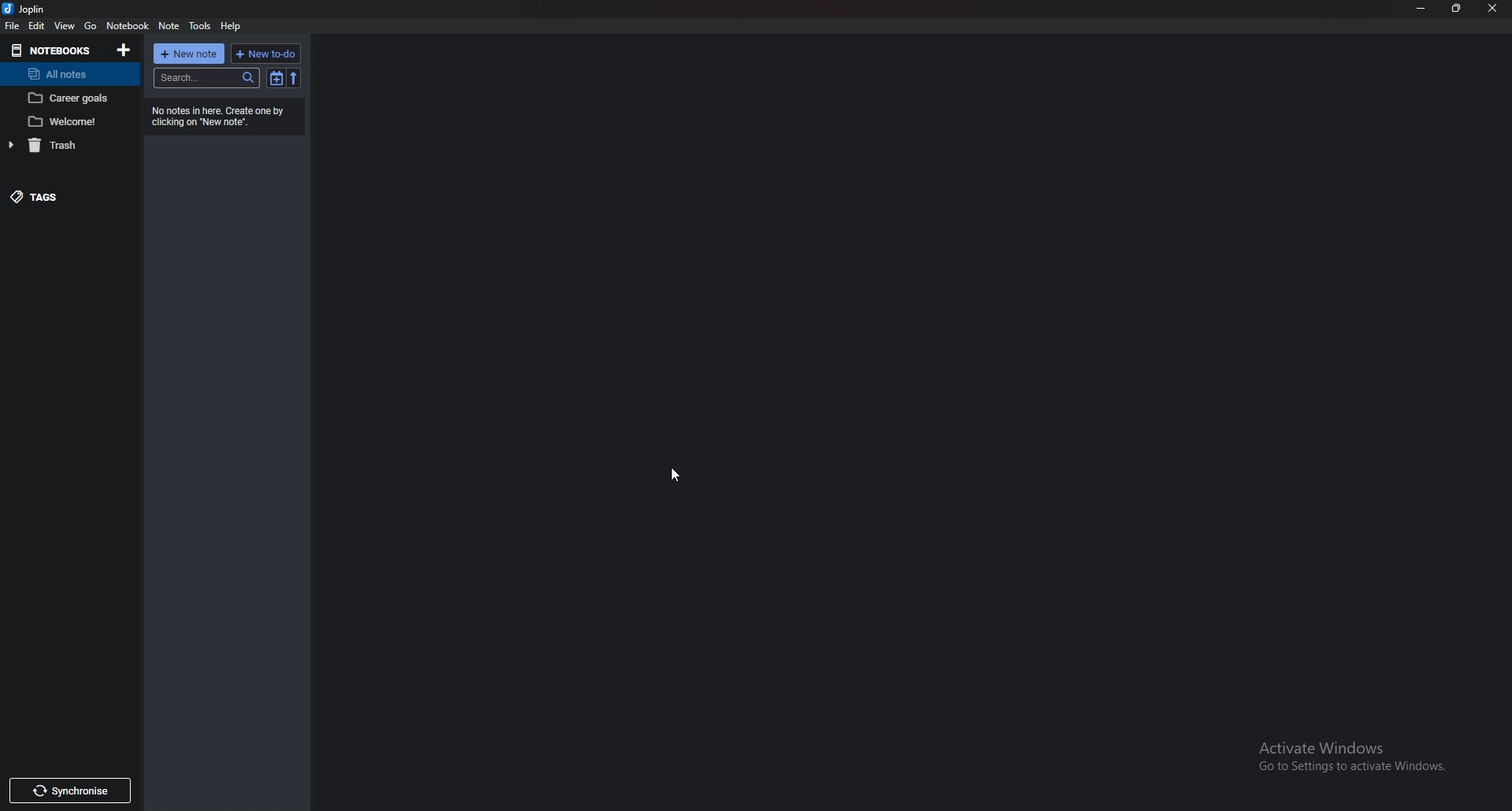  Describe the element at coordinates (63, 146) in the screenshot. I see `trash` at that location.